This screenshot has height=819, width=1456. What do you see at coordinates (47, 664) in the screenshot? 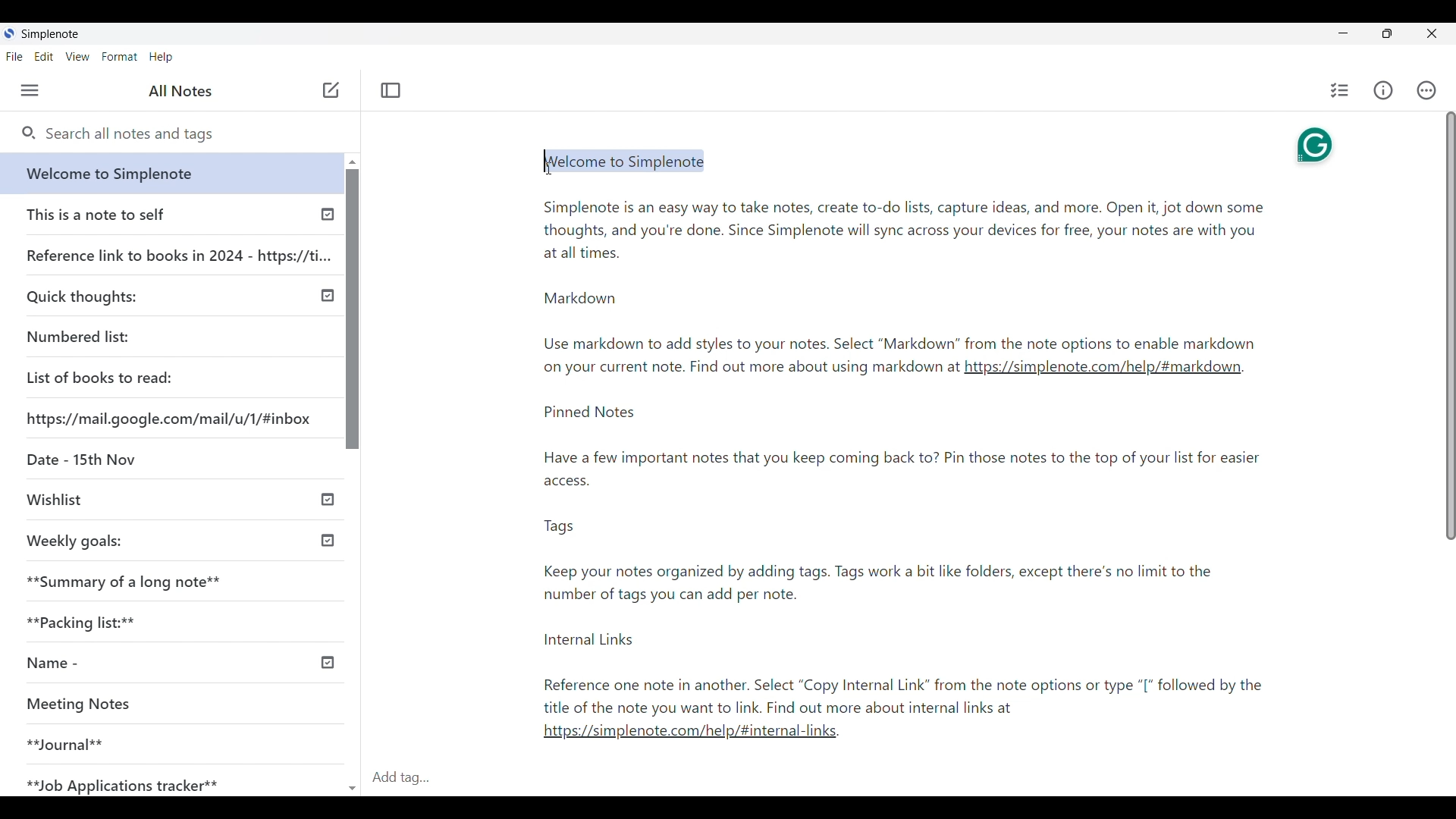
I see `Name` at bounding box center [47, 664].